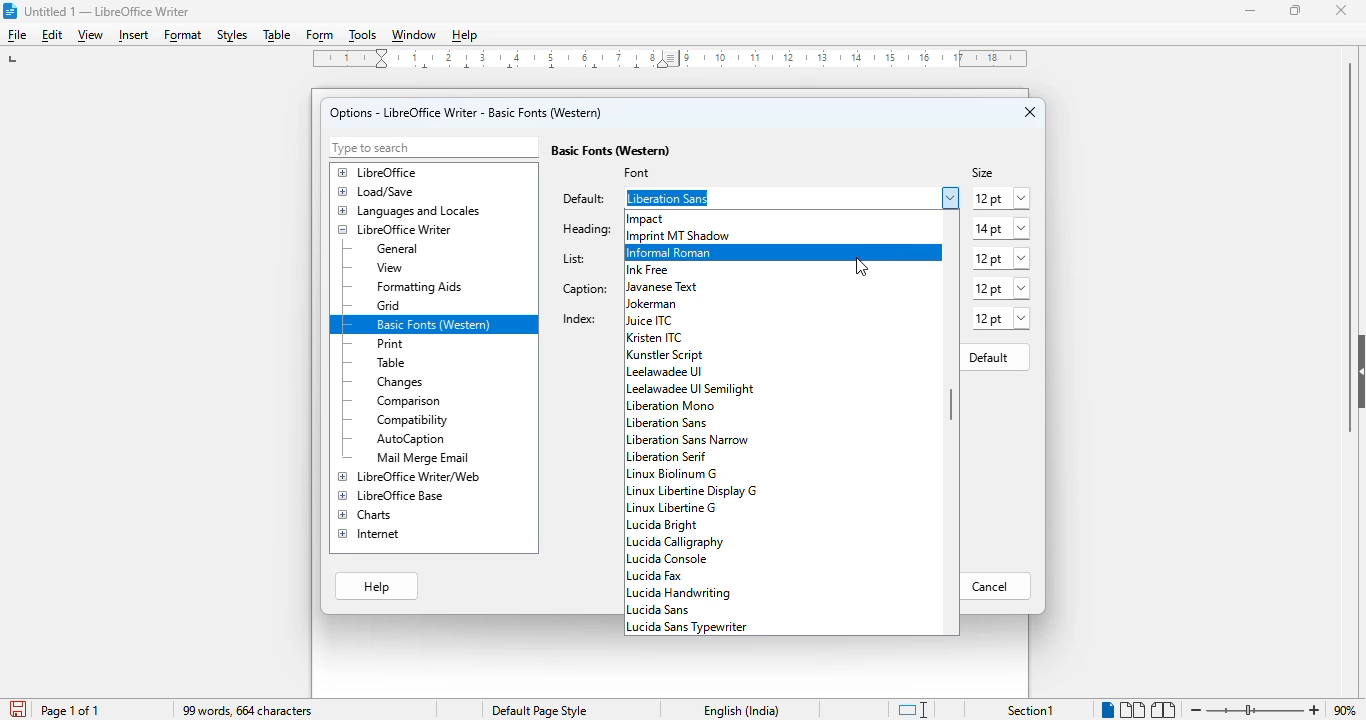 Image resolution: width=1366 pixels, height=720 pixels. I want to click on maximize, so click(1295, 10).